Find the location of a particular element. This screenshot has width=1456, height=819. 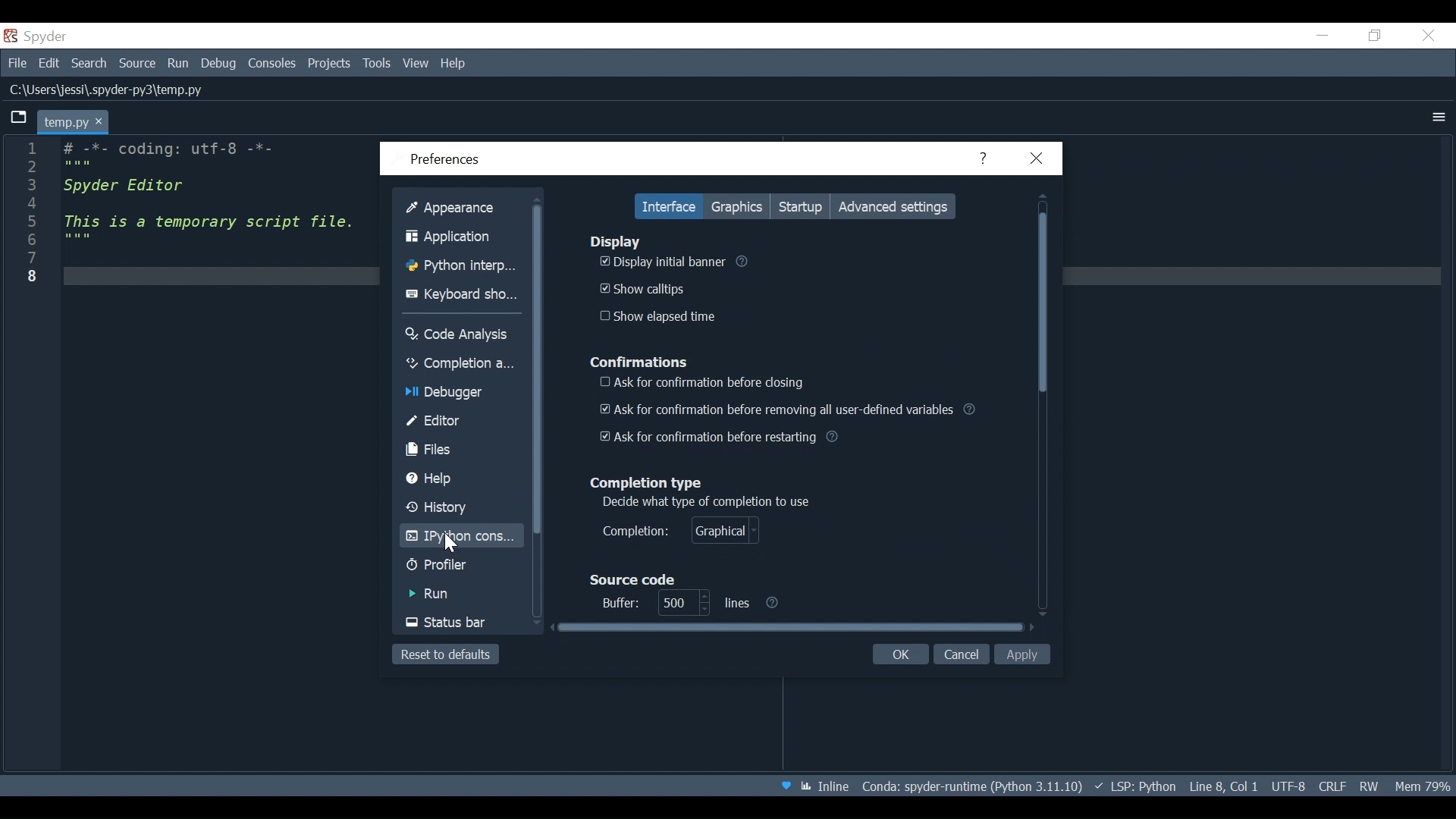

Close is located at coordinates (1041, 158).